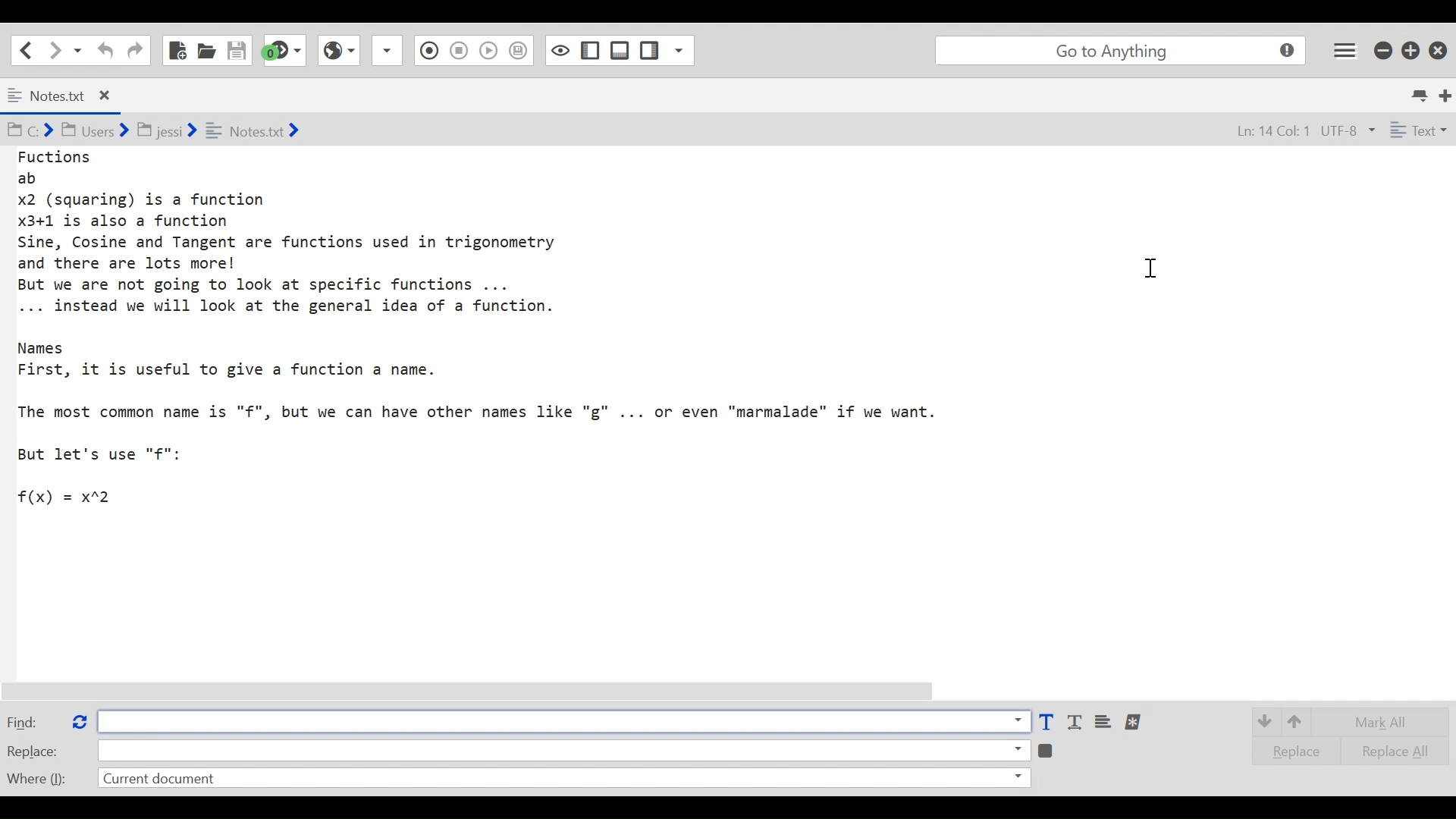 The image size is (1456, 819). I want to click on Jump to next syntax checking result, so click(284, 50).